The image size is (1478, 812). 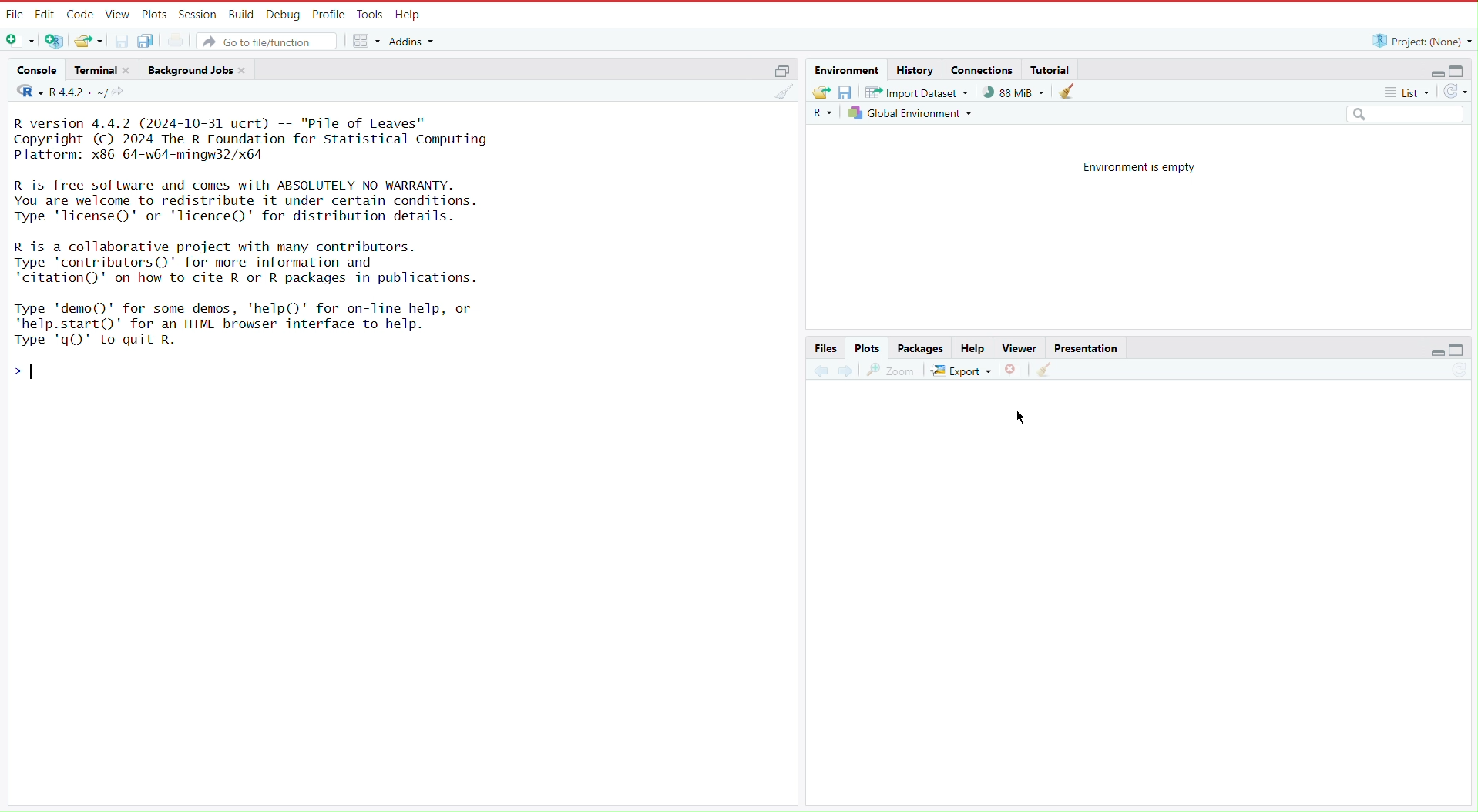 I want to click on Presentation, so click(x=1086, y=347).